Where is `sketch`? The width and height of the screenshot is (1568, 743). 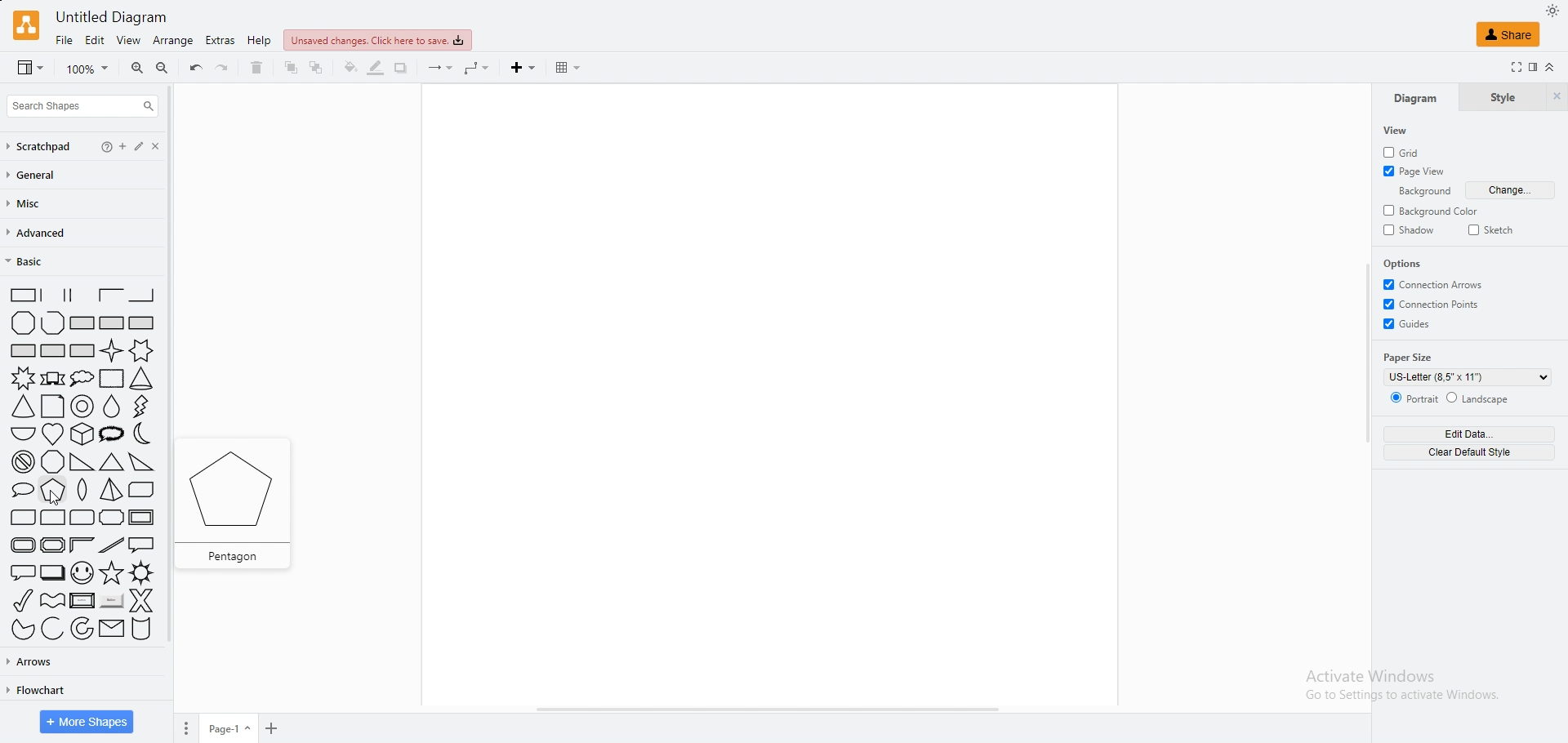
sketch is located at coordinates (1493, 229).